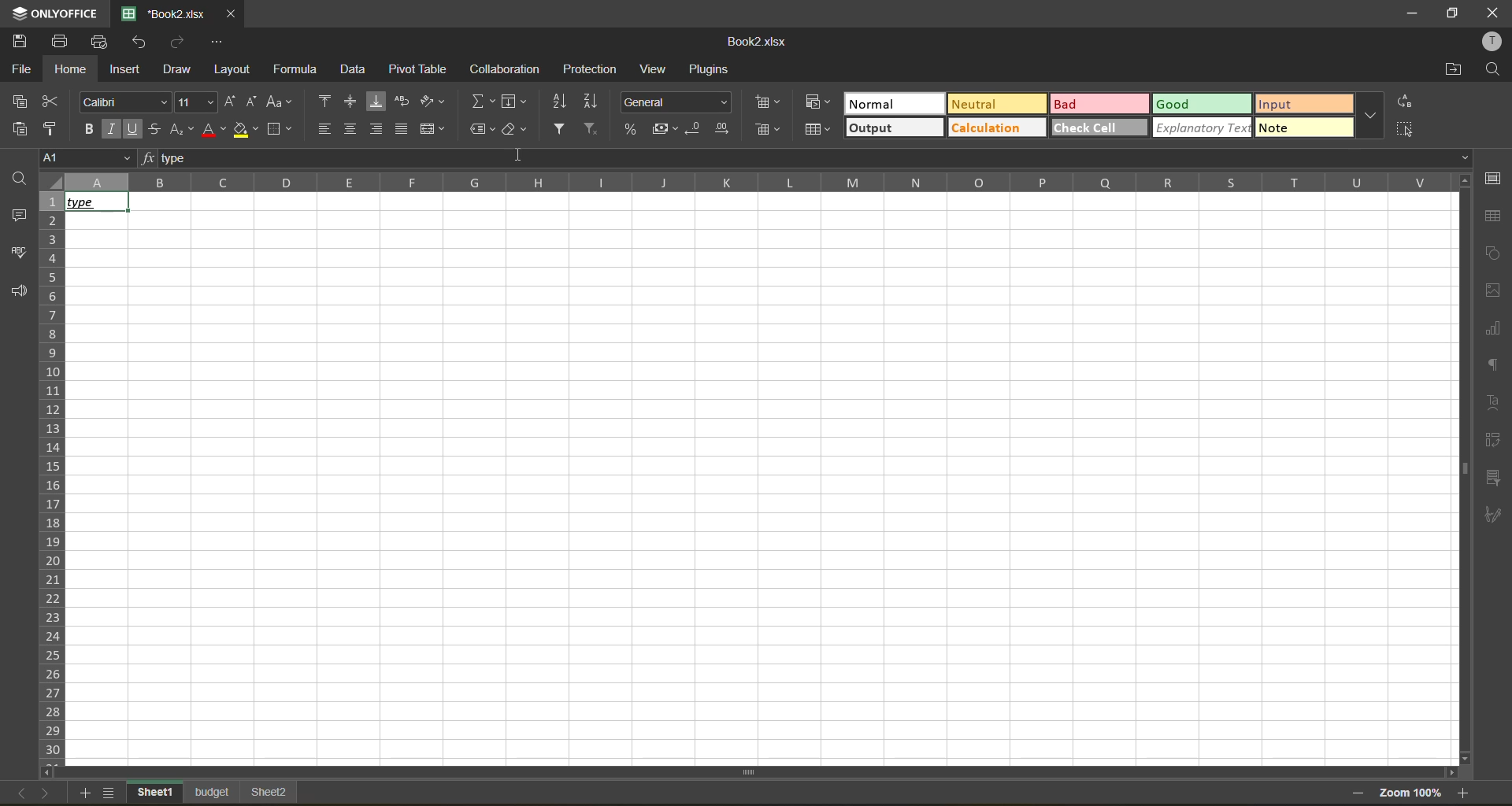 Image resolution: width=1512 pixels, height=806 pixels. I want to click on accounting, so click(667, 129).